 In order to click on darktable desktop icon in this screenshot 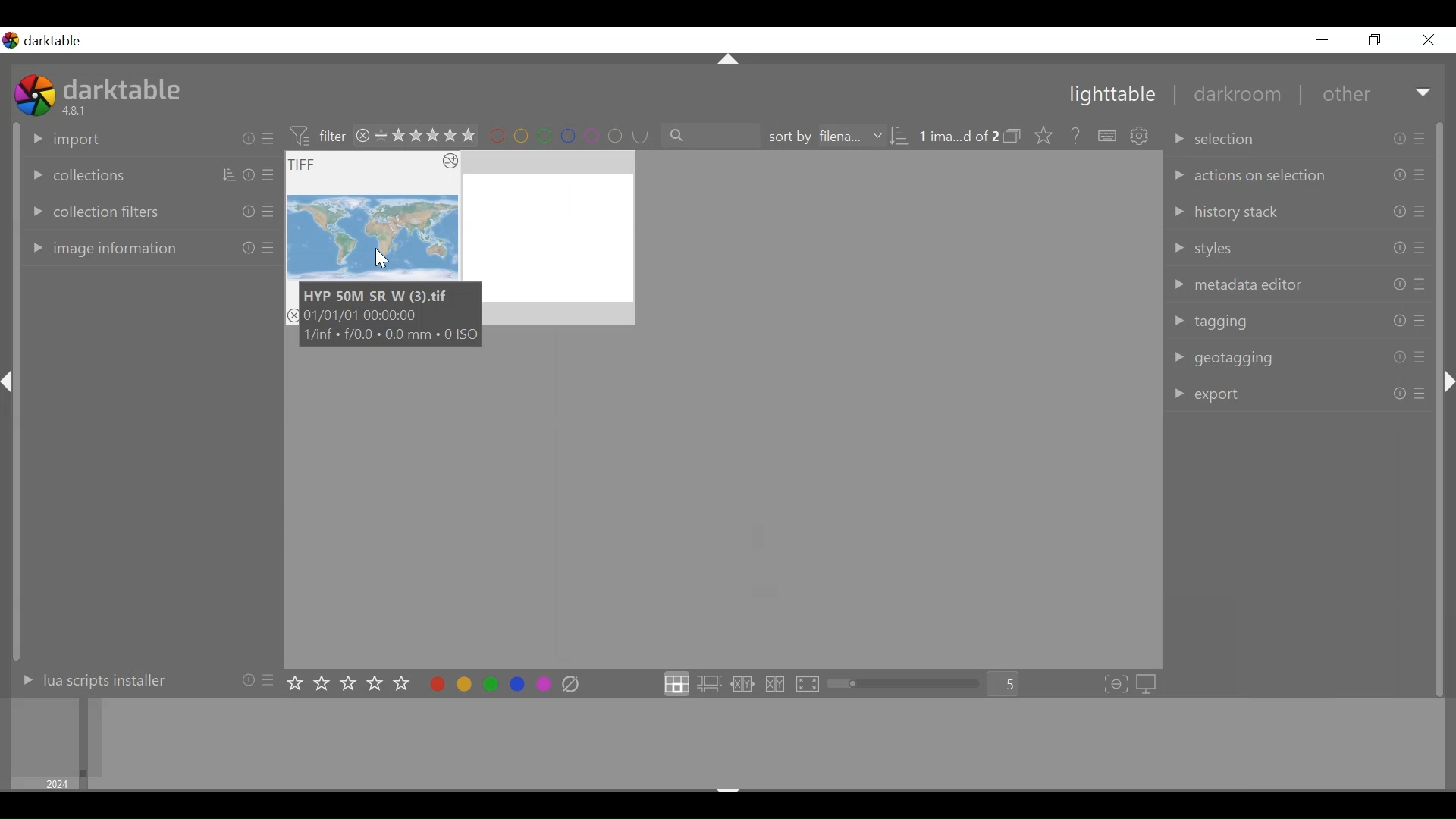, I will do `click(35, 96)`.